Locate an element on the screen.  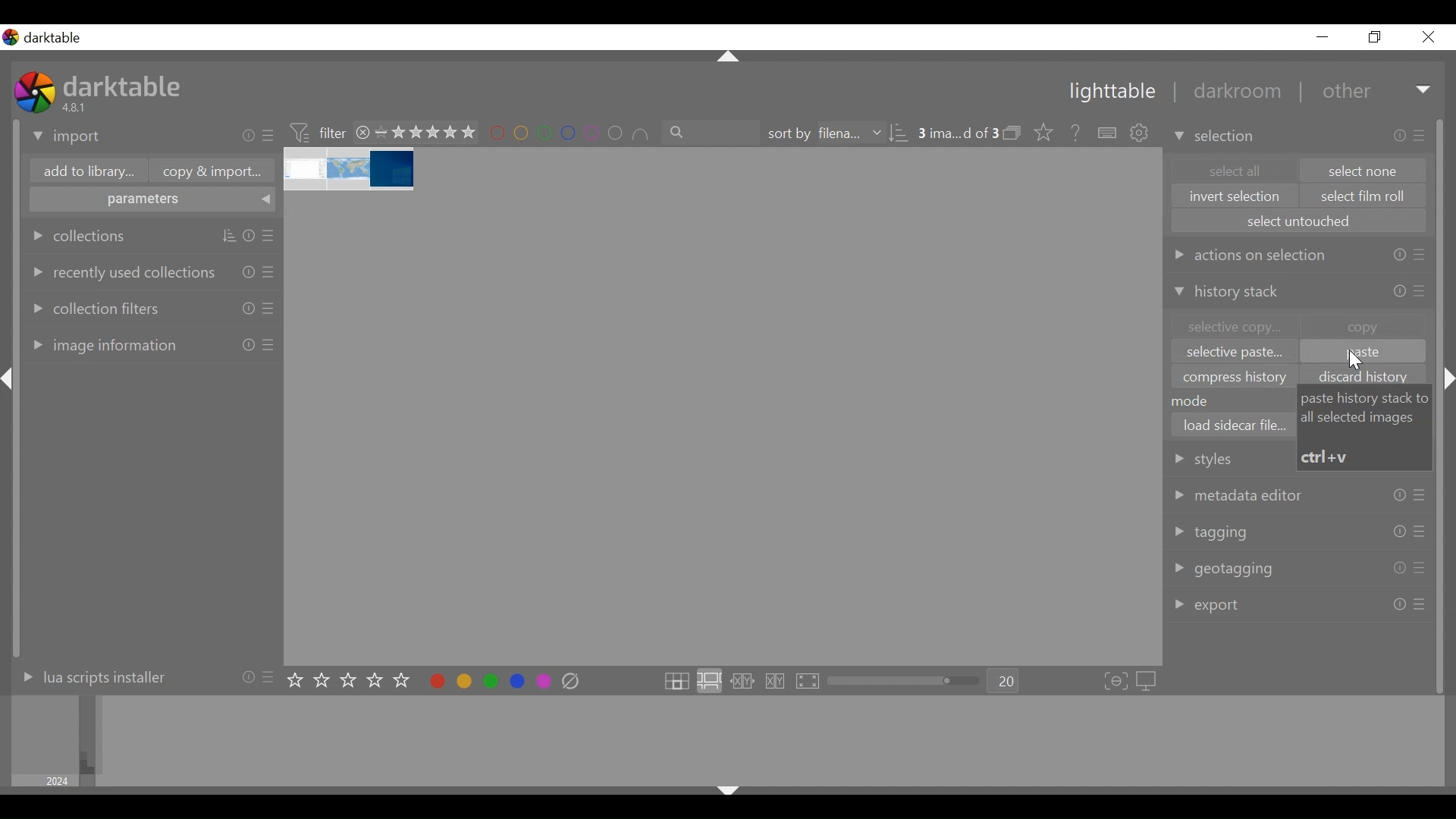
sort by is located at coordinates (823, 133).